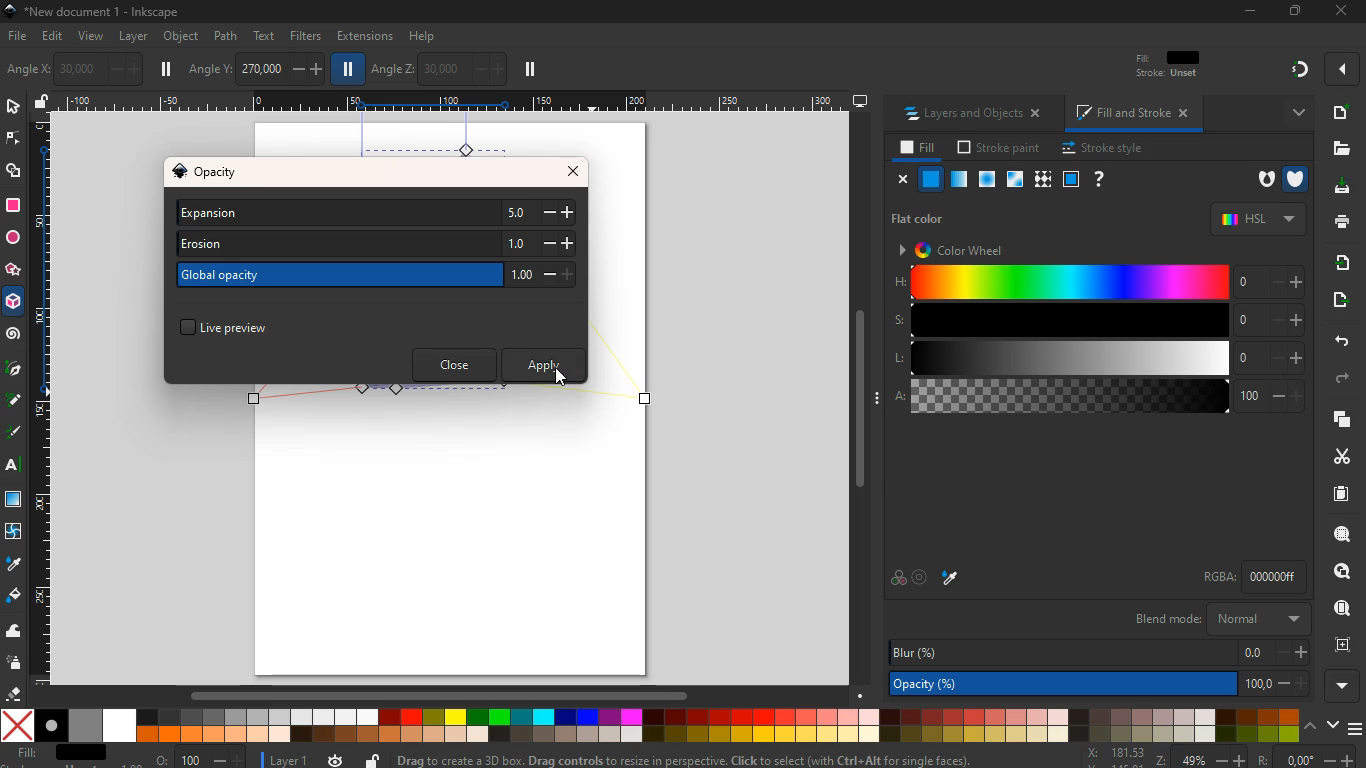  Describe the element at coordinates (16, 173) in the screenshot. I see `shapes` at that location.